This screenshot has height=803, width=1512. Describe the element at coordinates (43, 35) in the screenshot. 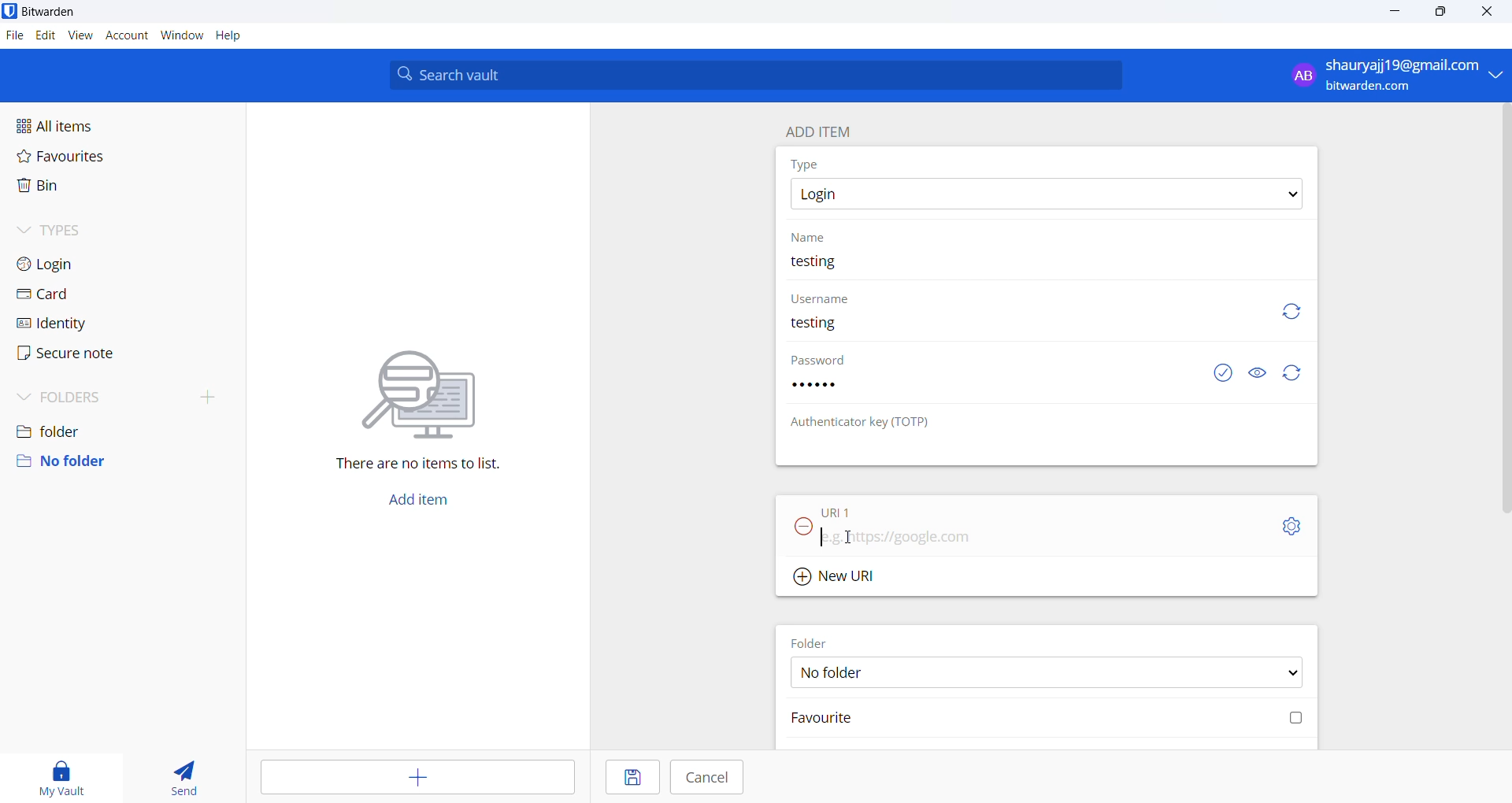

I see `edit` at that location.